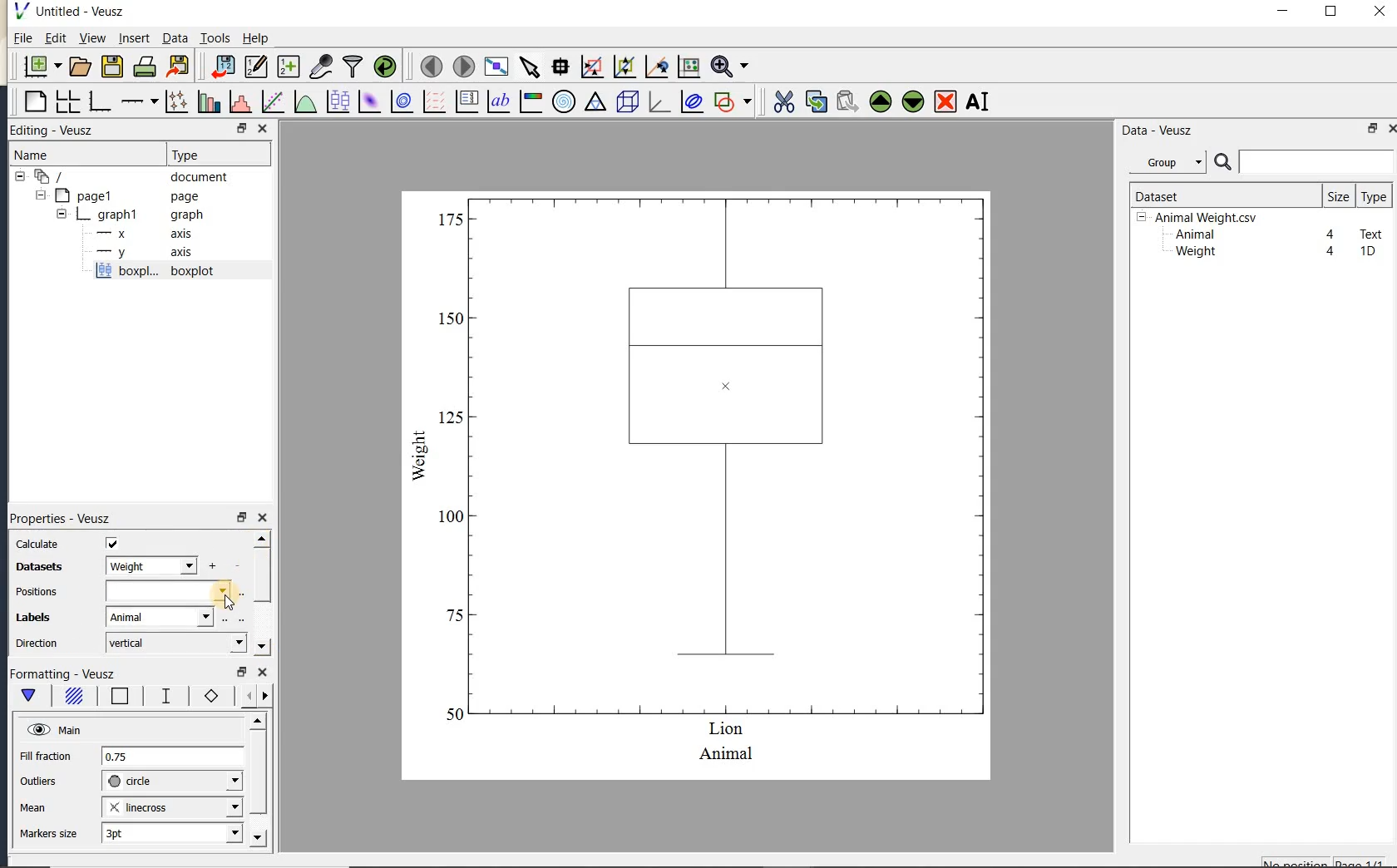 The height and width of the screenshot is (868, 1397). I want to click on Text, so click(1372, 232).